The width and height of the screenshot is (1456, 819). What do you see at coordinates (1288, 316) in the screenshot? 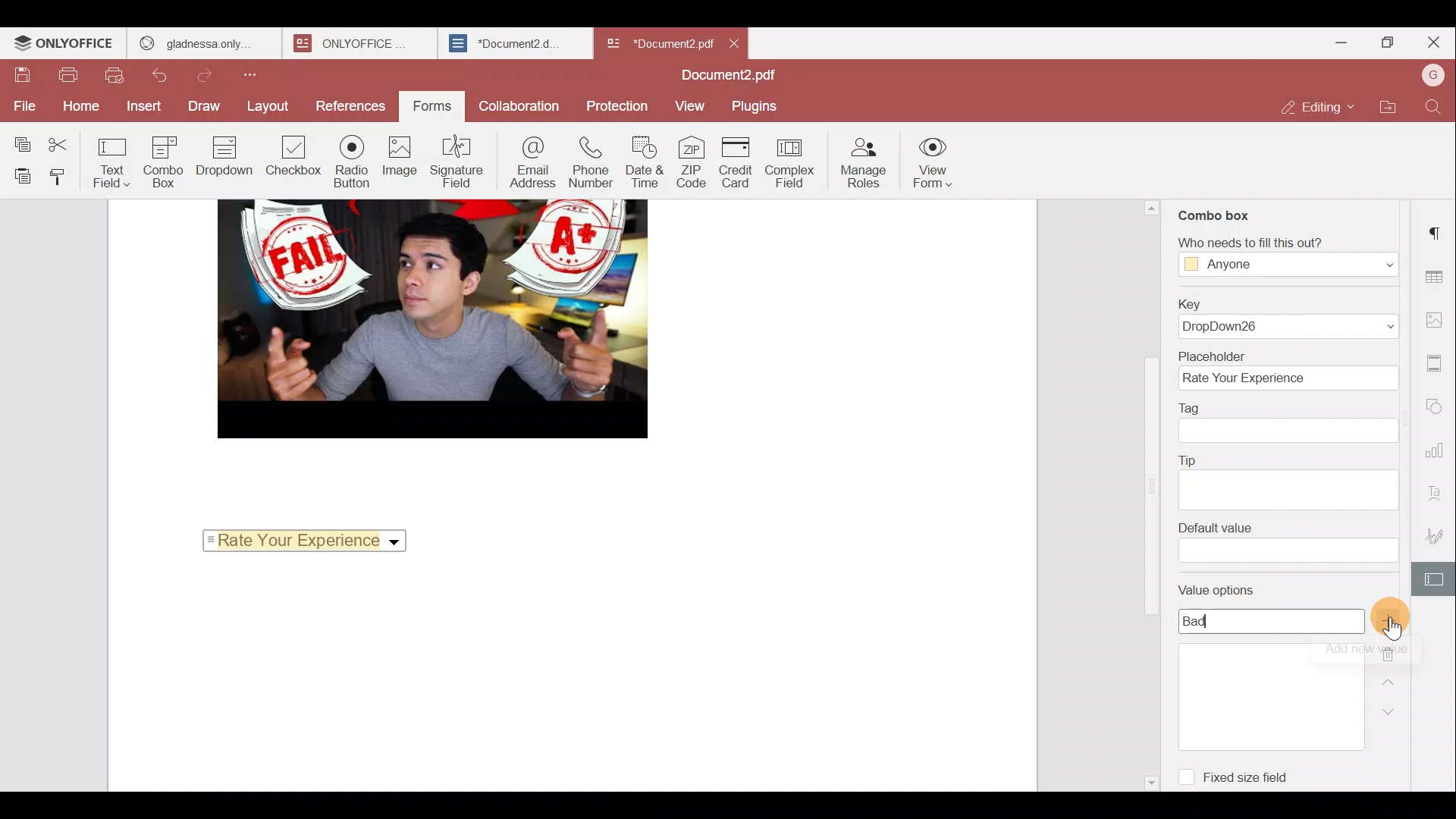
I see `Key` at bounding box center [1288, 316].